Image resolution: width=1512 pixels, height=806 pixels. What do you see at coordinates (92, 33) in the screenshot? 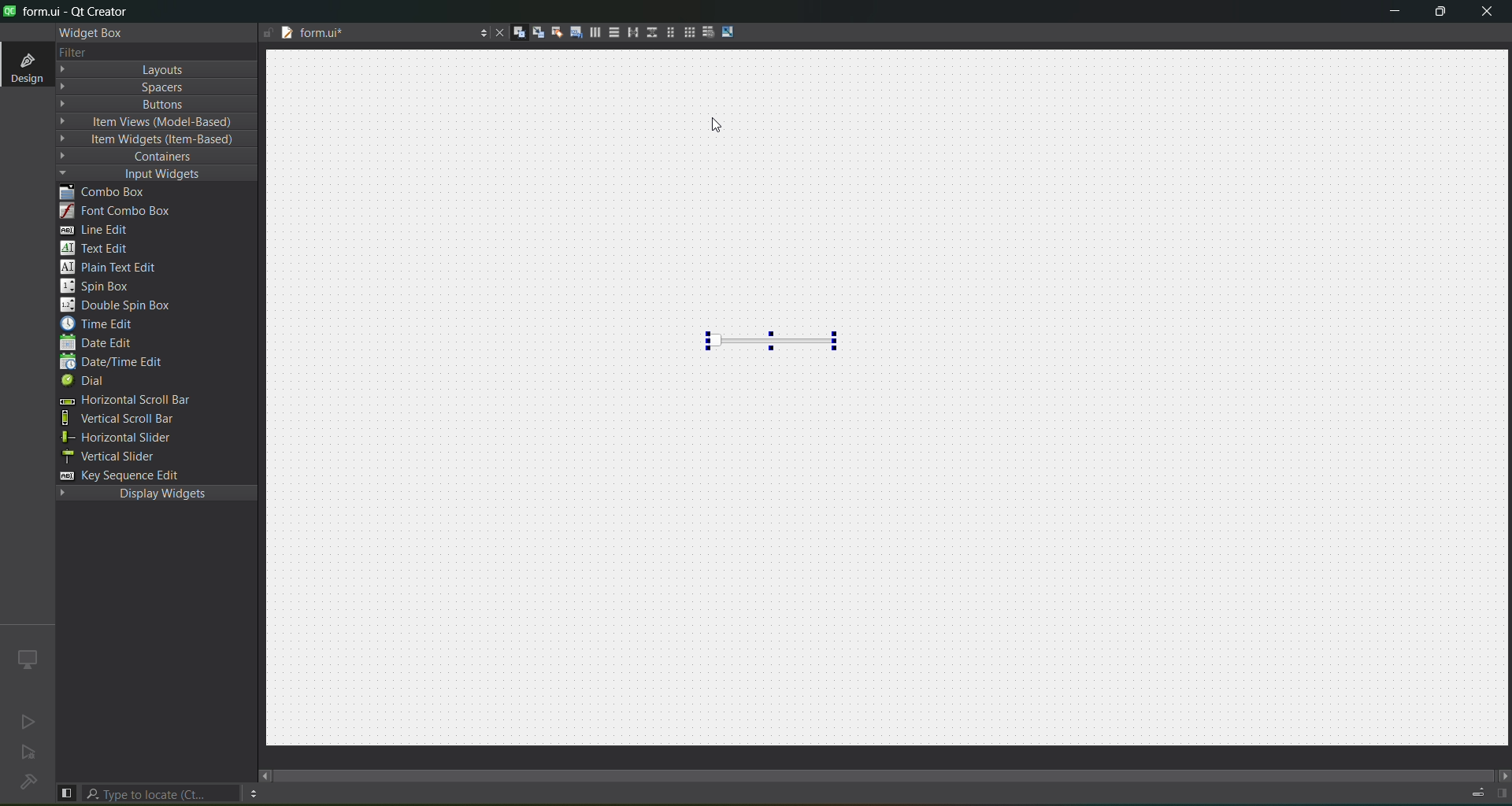
I see `widget box` at bounding box center [92, 33].